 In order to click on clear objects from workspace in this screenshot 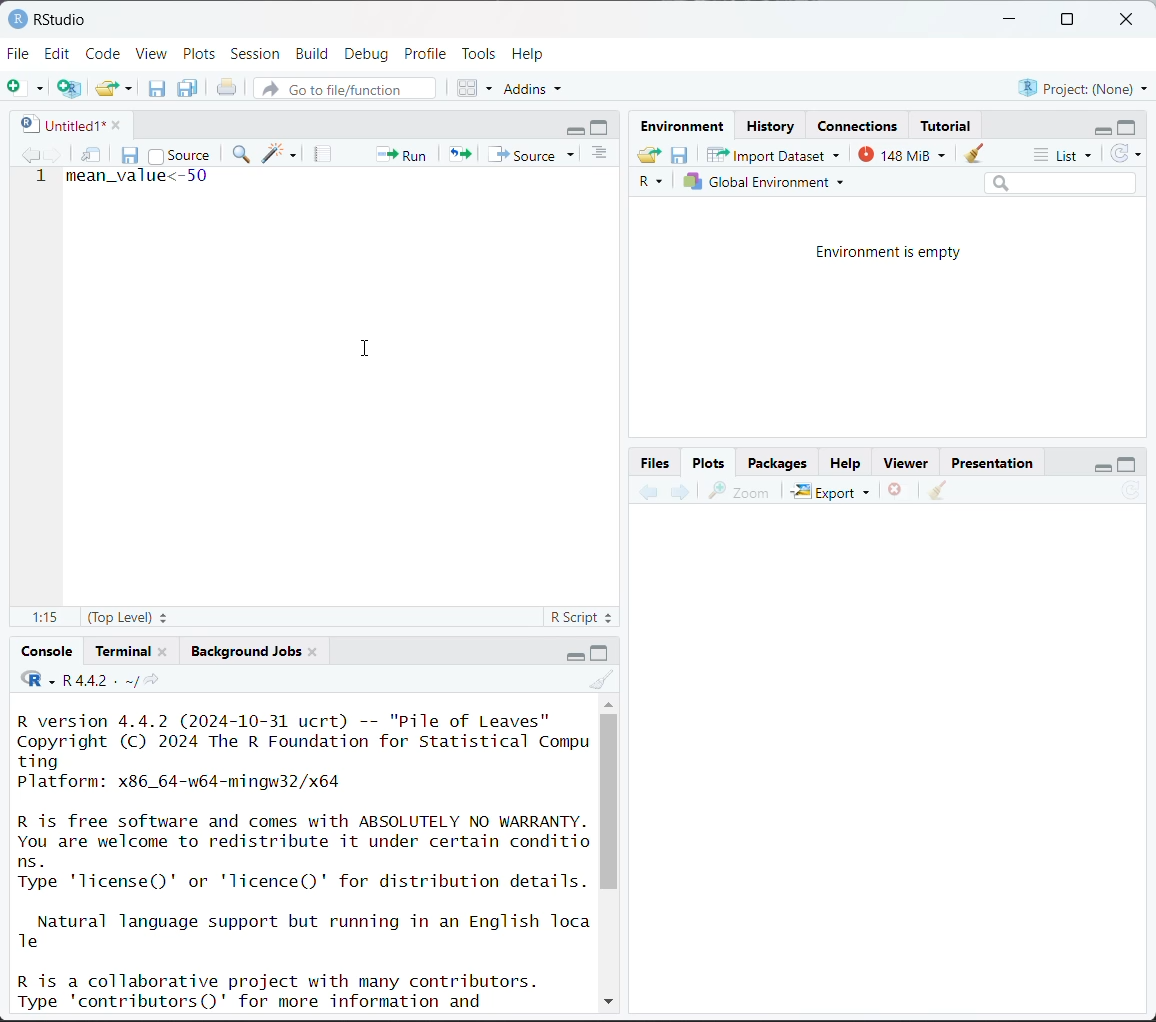, I will do `click(969, 150)`.